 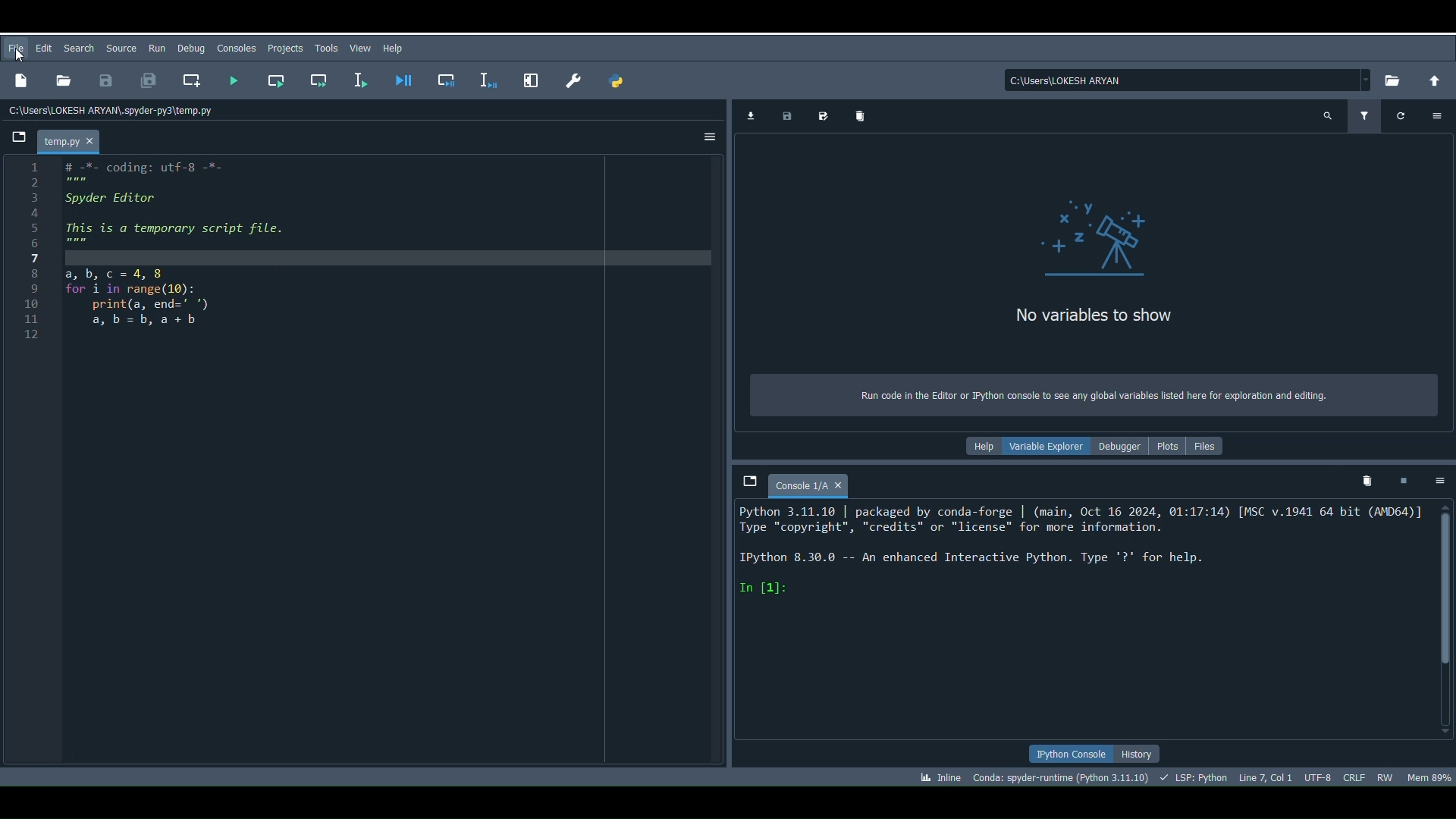 What do you see at coordinates (1360, 482) in the screenshot?
I see `Remove all variables from namespace` at bounding box center [1360, 482].